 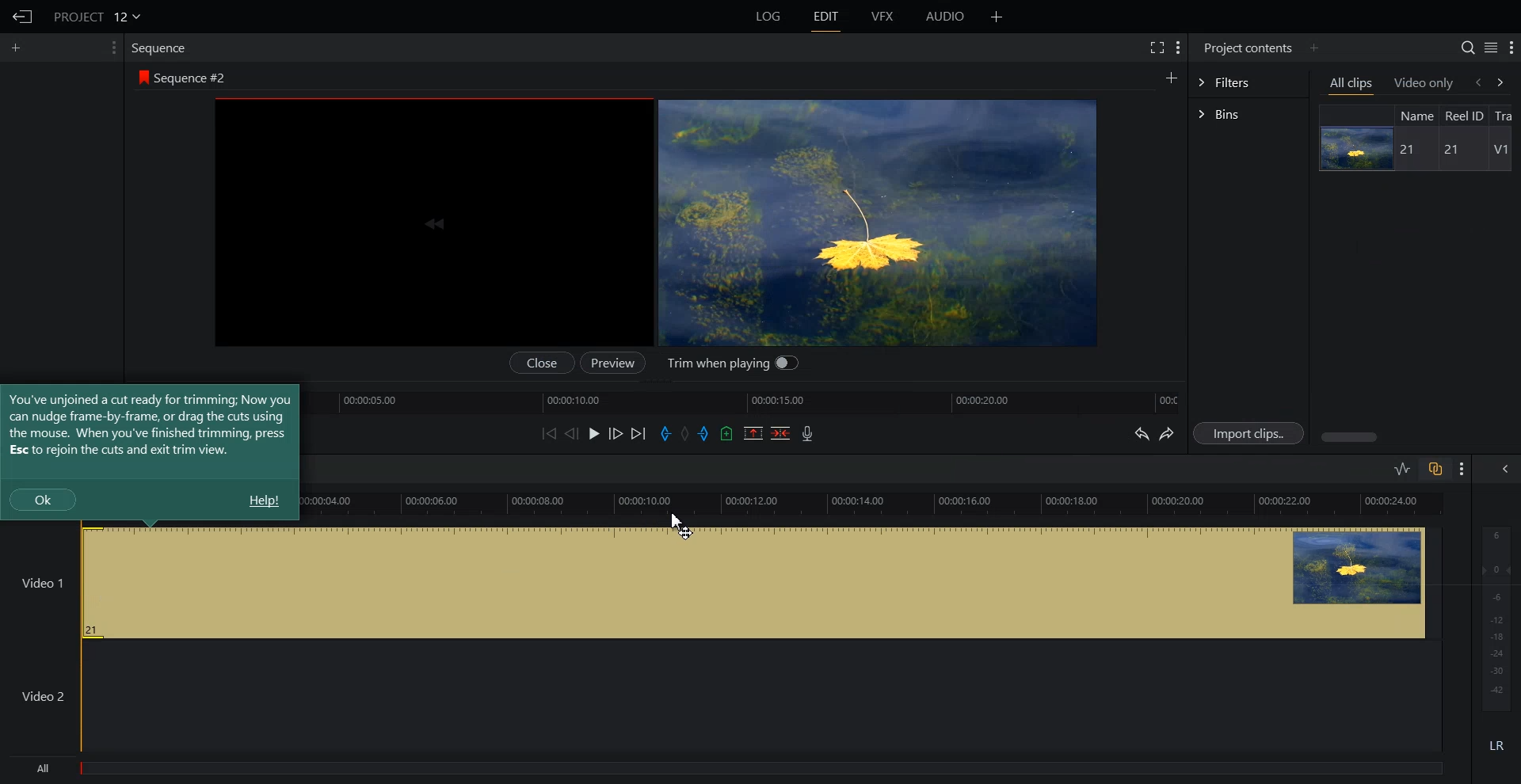 I want to click on Reel ID, so click(x=1464, y=116).